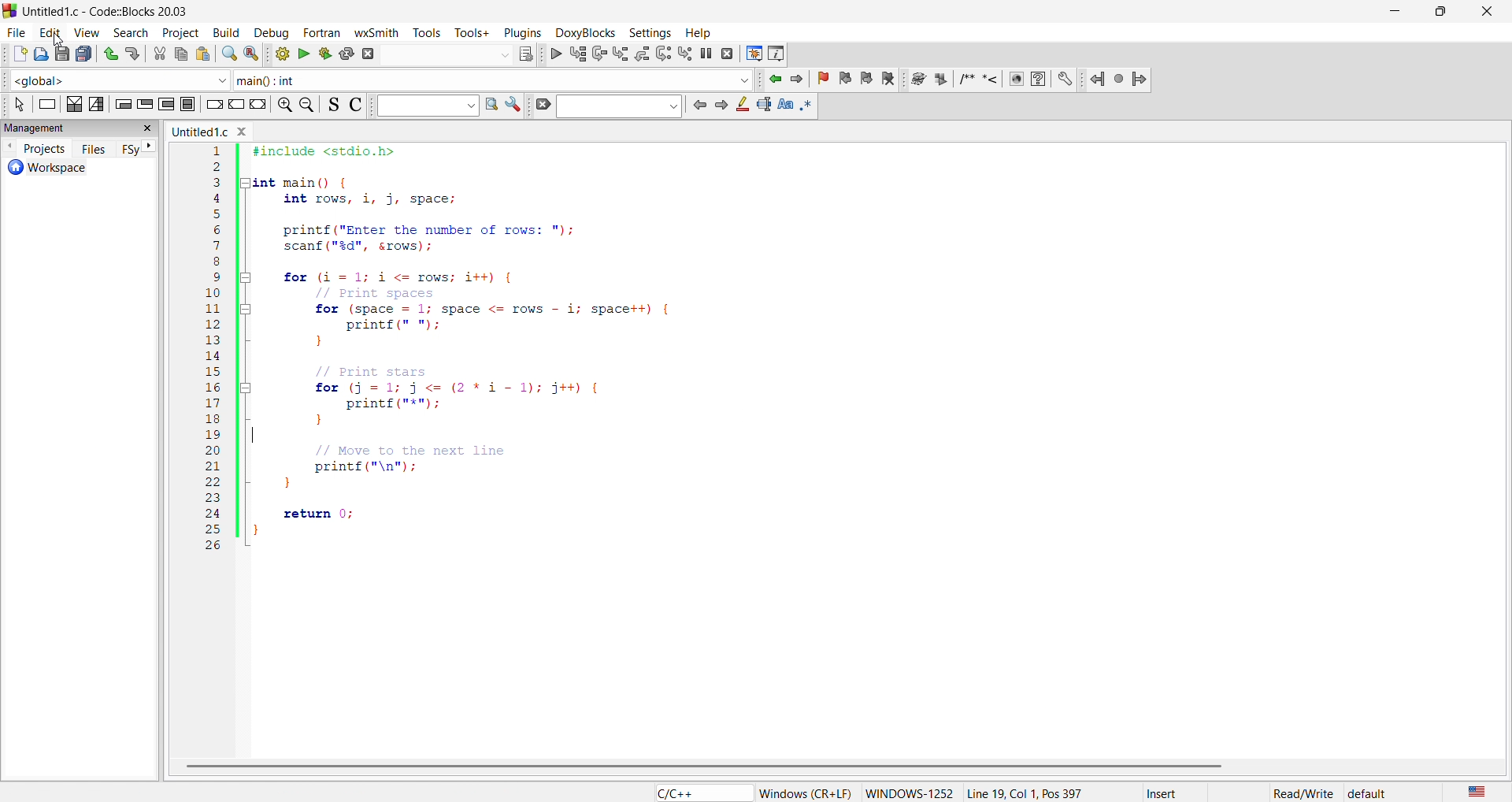  Describe the element at coordinates (598, 55) in the screenshot. I see `next line` at that location.